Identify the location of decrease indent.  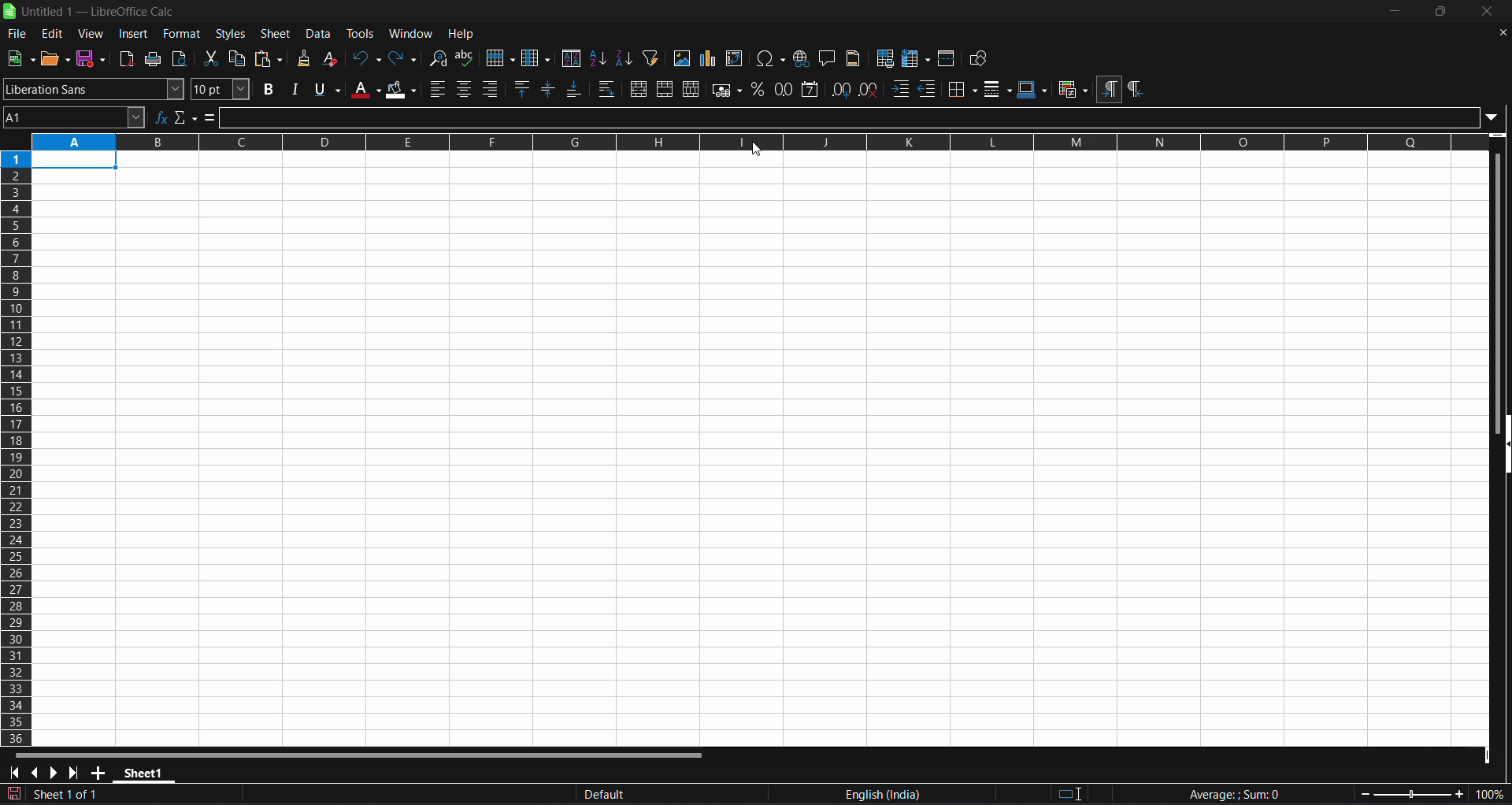
(928, 88).